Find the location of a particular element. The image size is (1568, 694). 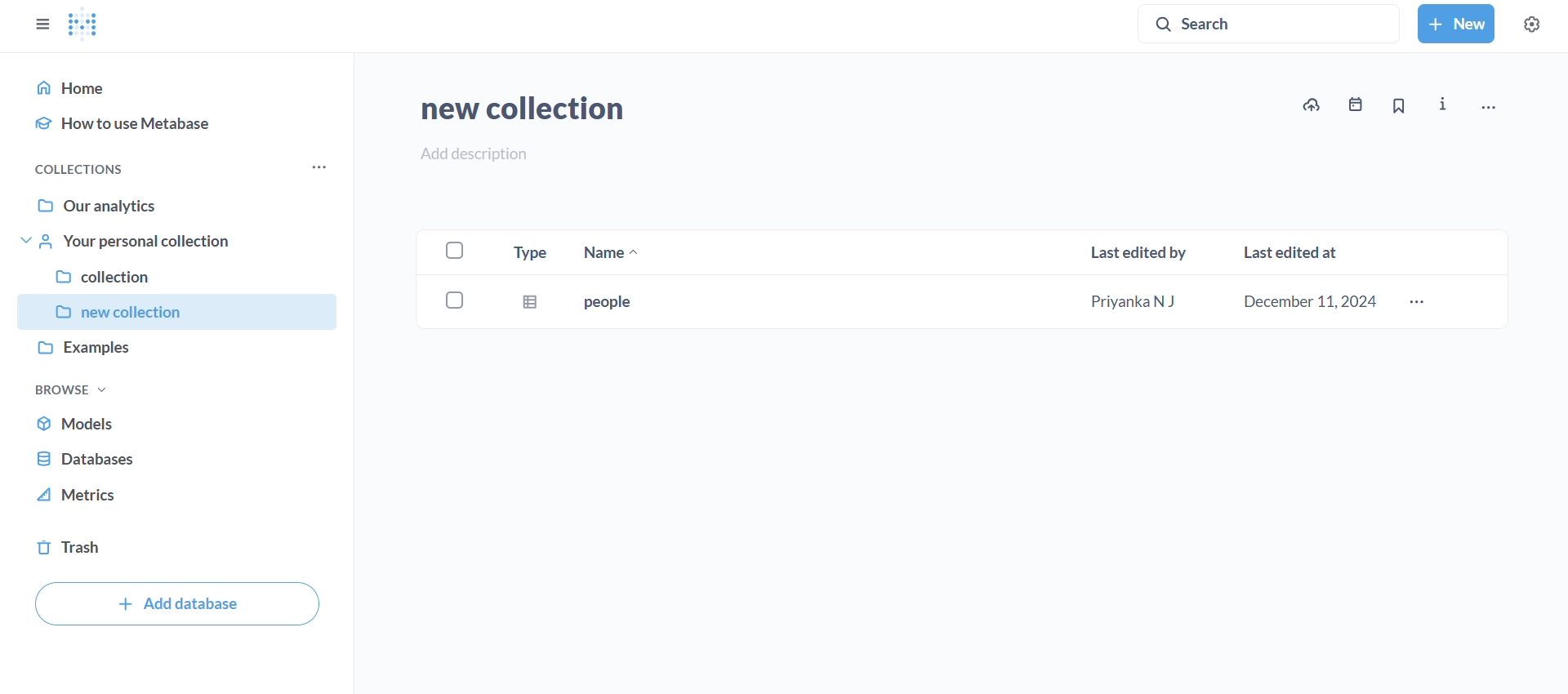

events is located at coordinates (1351, 108).